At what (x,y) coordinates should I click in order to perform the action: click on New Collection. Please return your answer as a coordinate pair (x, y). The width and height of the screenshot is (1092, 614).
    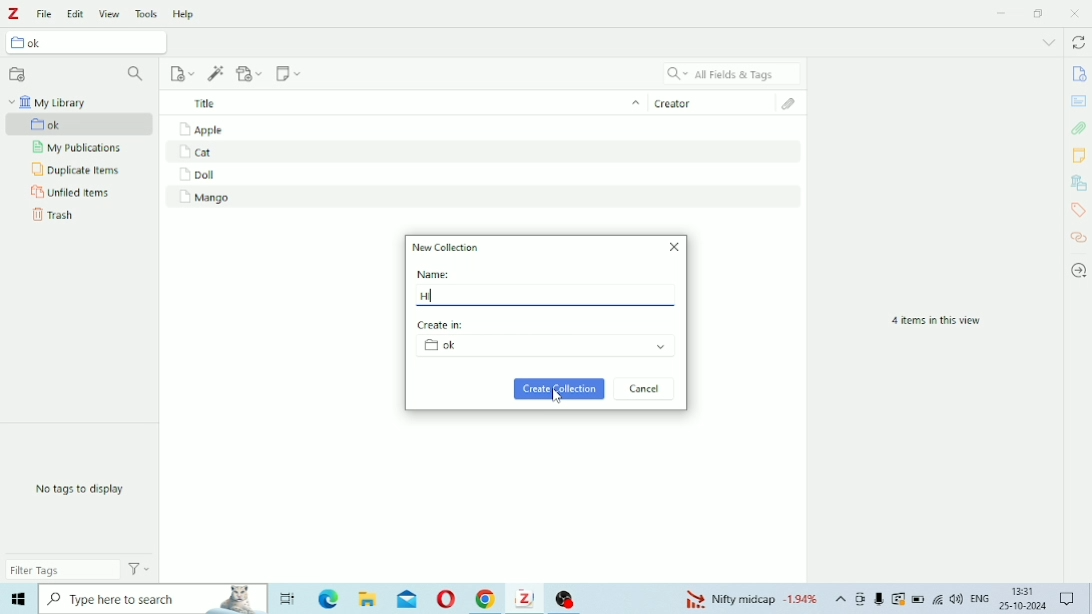
    Looking at the image, I should click on (18, 74).